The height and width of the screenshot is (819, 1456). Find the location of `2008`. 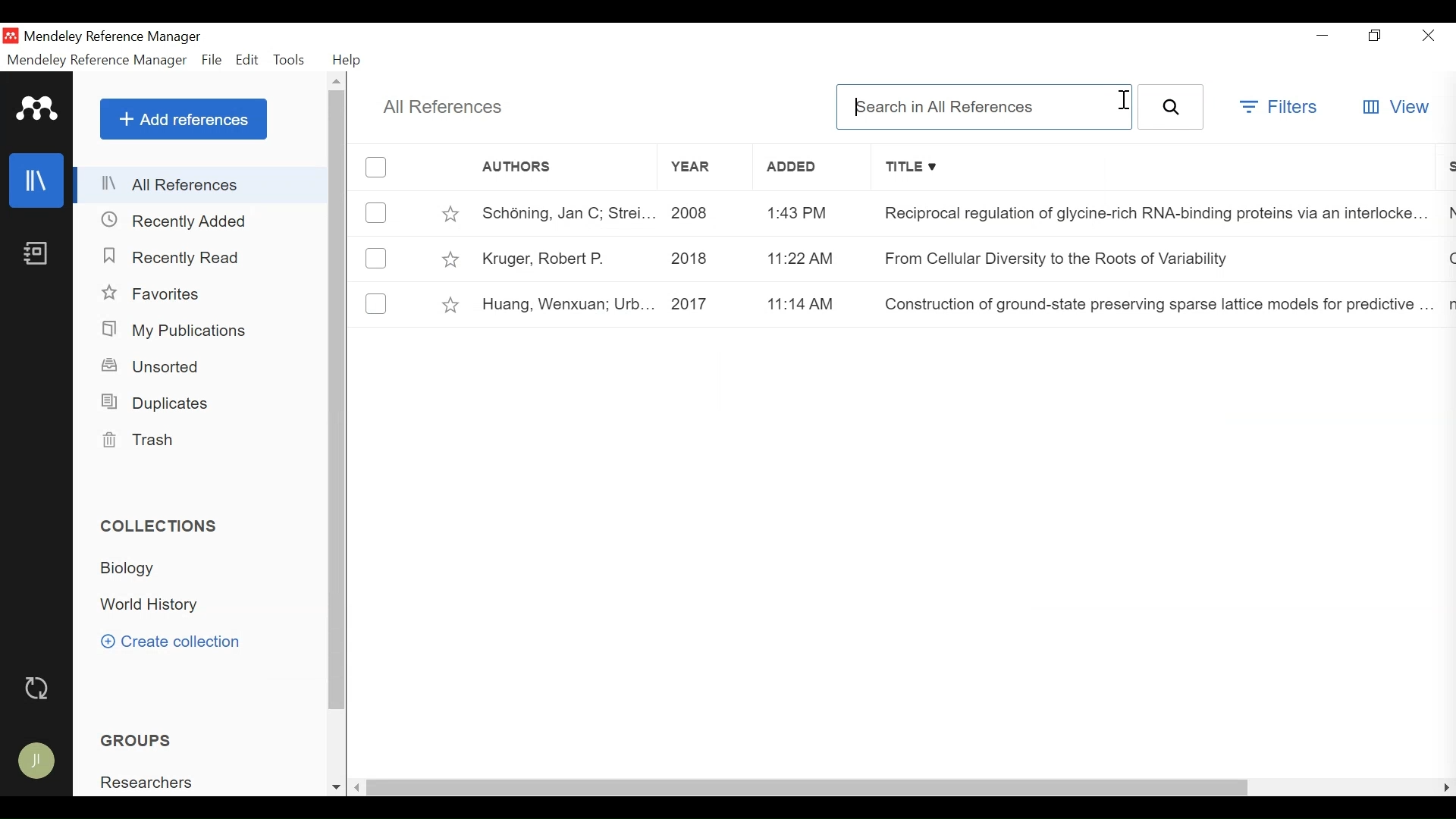

2008 is located at coordinates (708, 213).